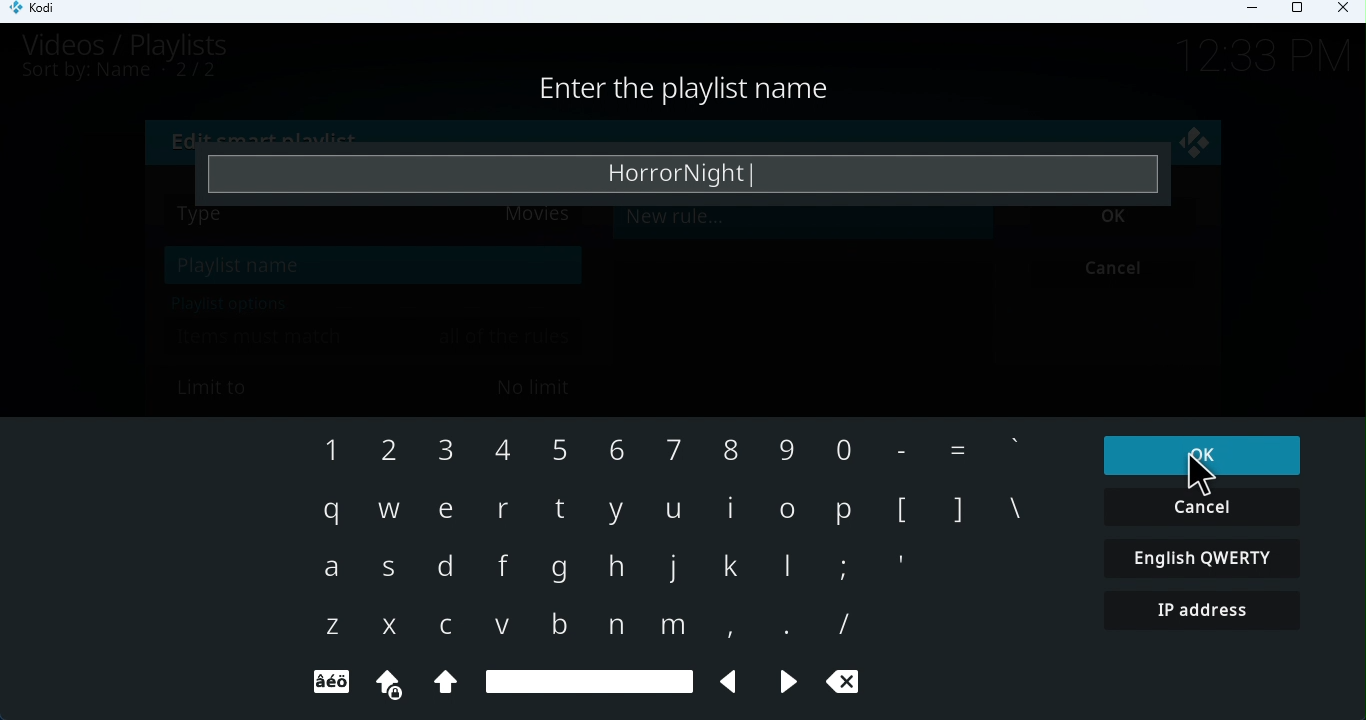 The height and width of the screenshot is (720, 1366). Describe the element at coordinates (1259, 13) in the screenshot. I see `Minimize` at that location.